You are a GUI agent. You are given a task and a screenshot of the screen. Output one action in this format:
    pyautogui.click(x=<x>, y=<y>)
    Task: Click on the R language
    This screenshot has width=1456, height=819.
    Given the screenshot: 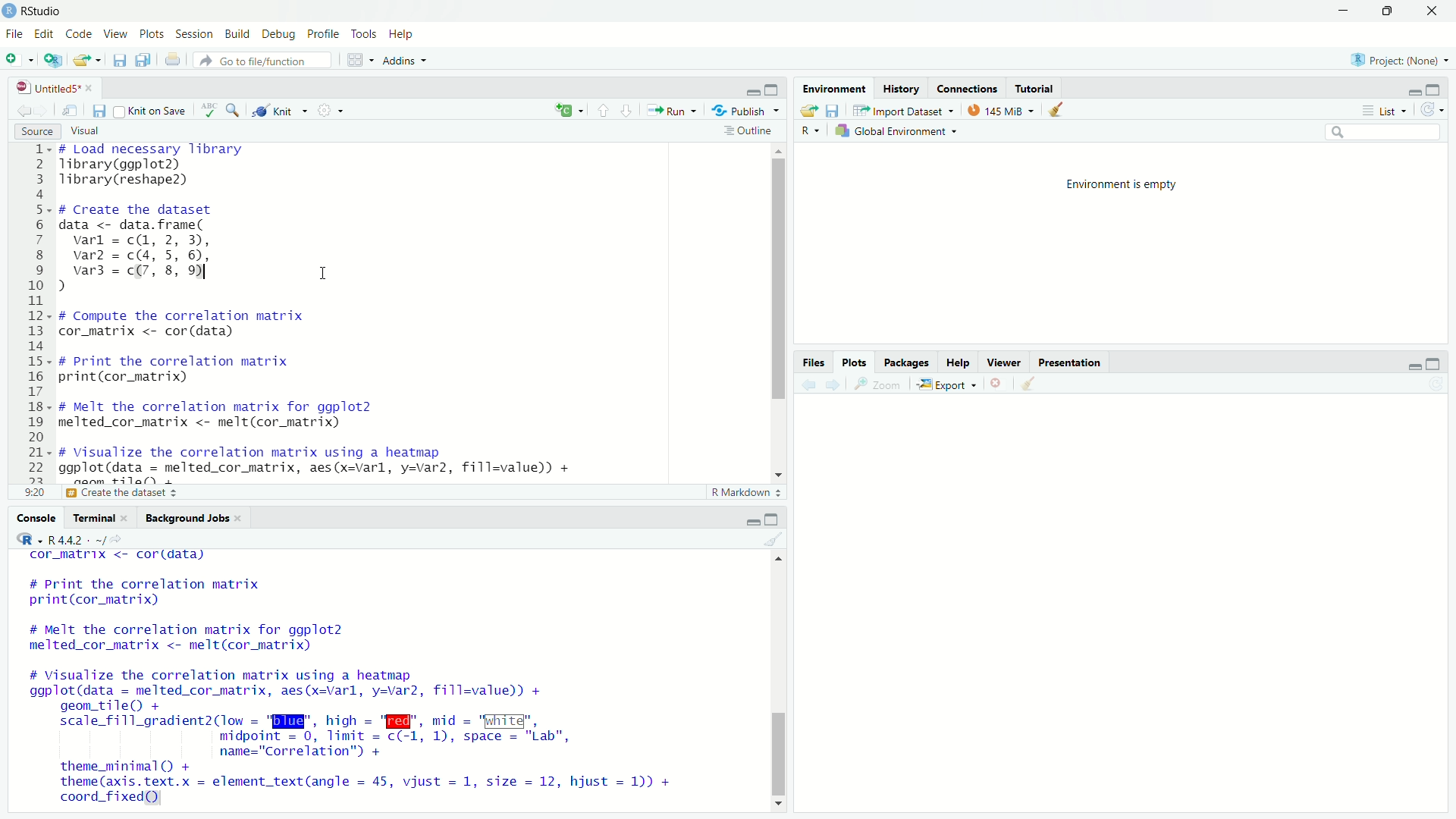 What is the action you would take?
    pyautogui.click(x=26, y=538)
    